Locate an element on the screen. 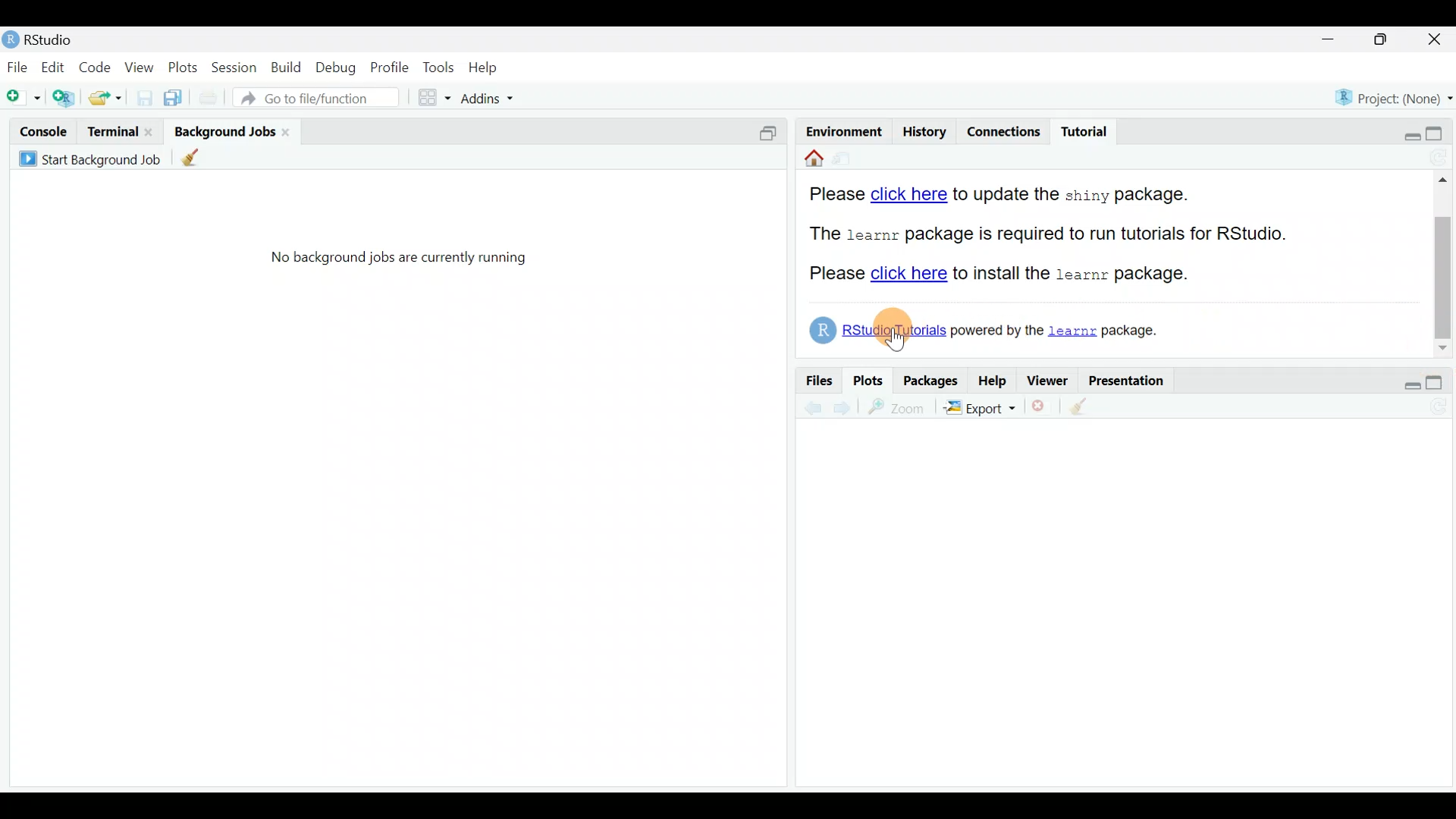  Export is located at coordinates (980, 408).